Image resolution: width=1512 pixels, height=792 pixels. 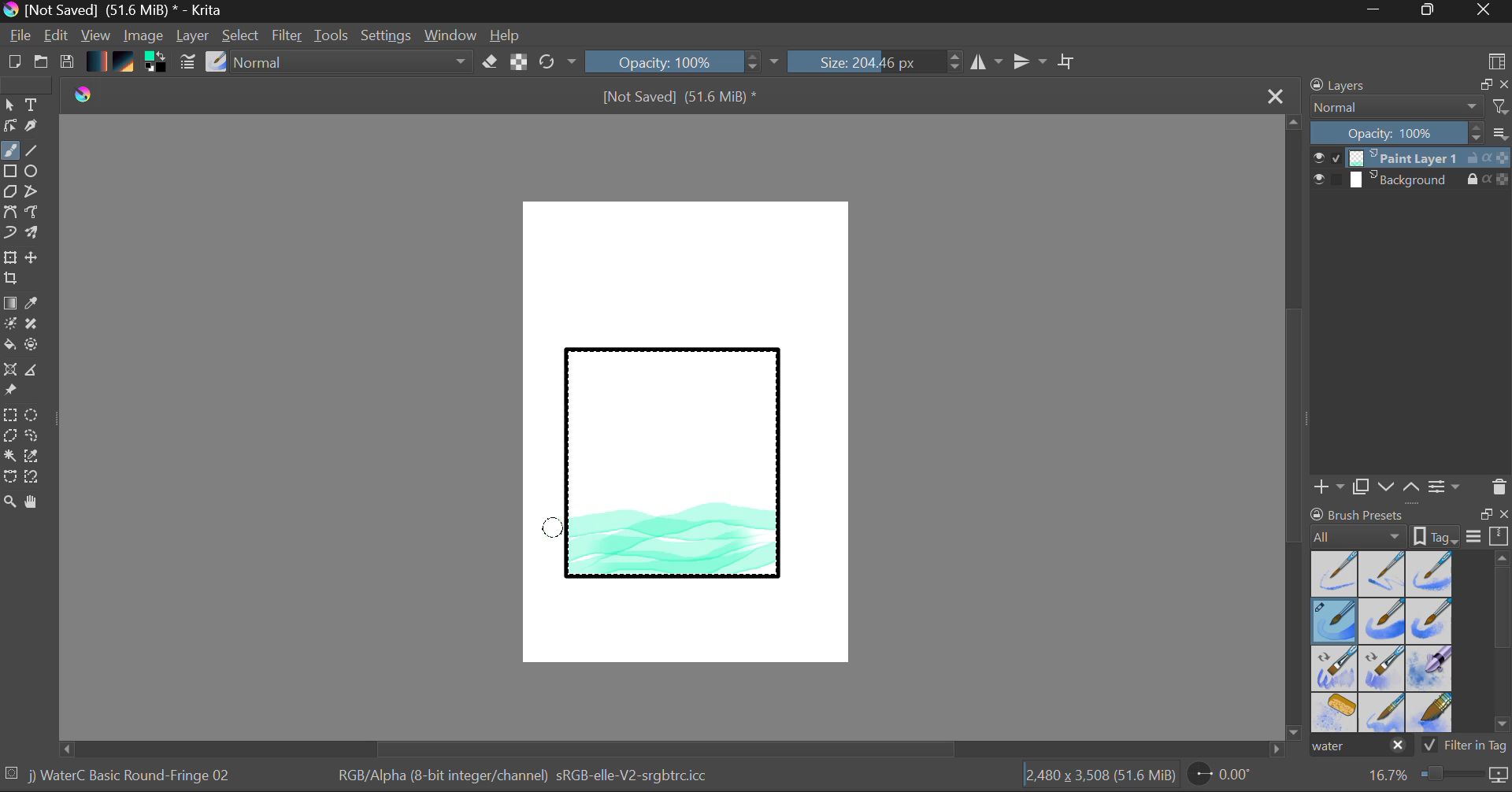 What do you see at coordinates (36, 457) in the screenshot?
I see `Similar Color Selector` at bounding box center [36, 457].